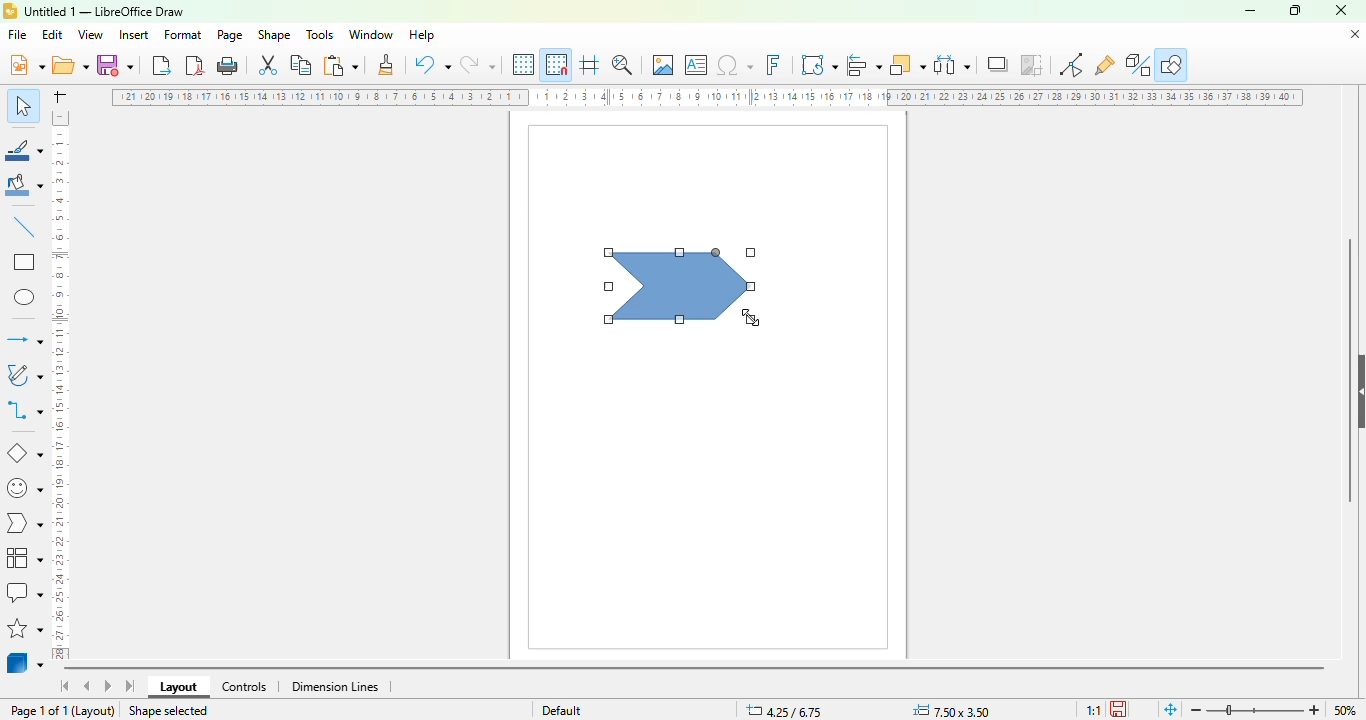  I want to click on shape selected, so click(169, 710).